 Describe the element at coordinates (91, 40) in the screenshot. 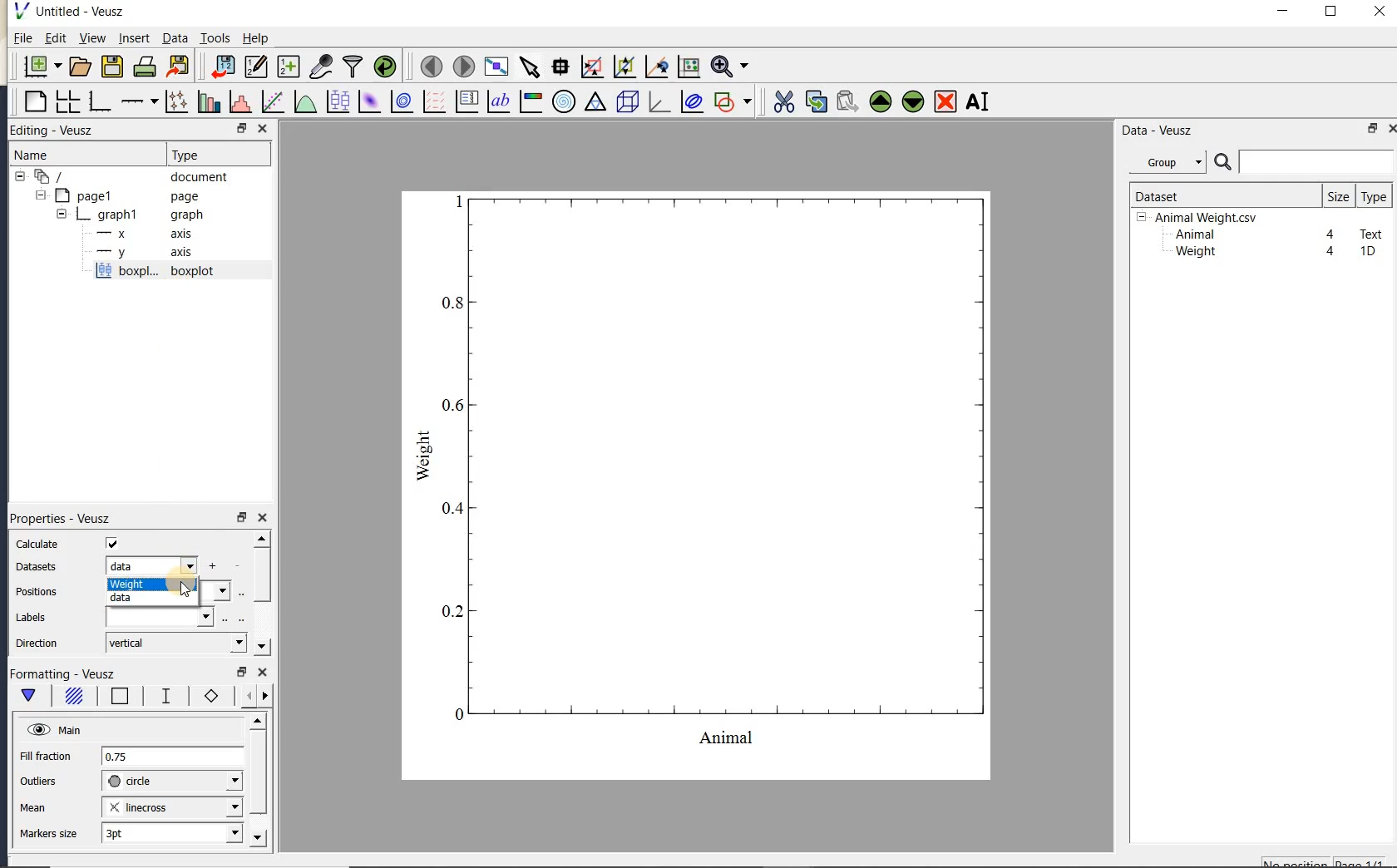

I see `view` at that location.